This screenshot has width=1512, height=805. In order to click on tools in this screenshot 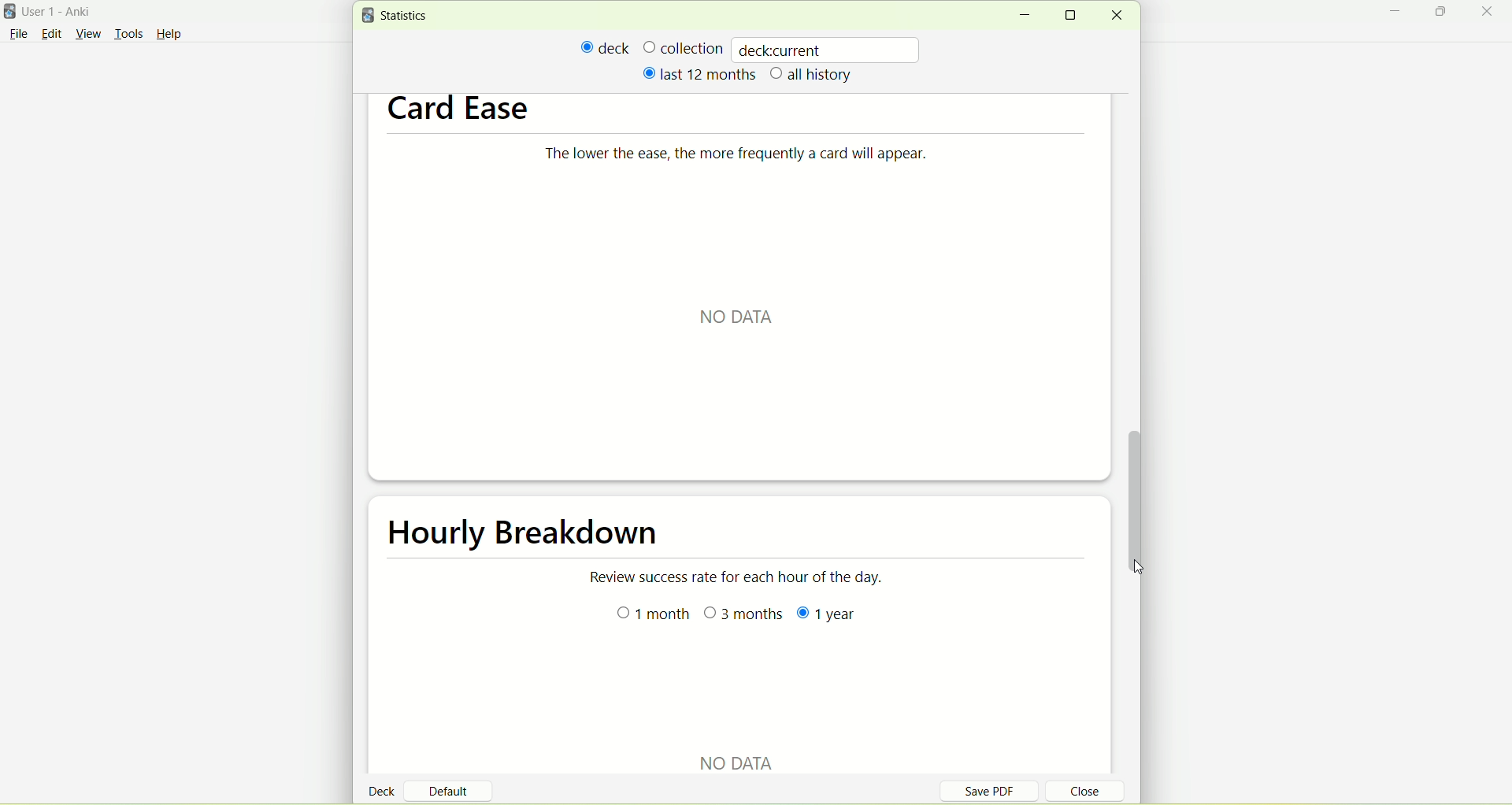, I will do `click(128, 35)`.